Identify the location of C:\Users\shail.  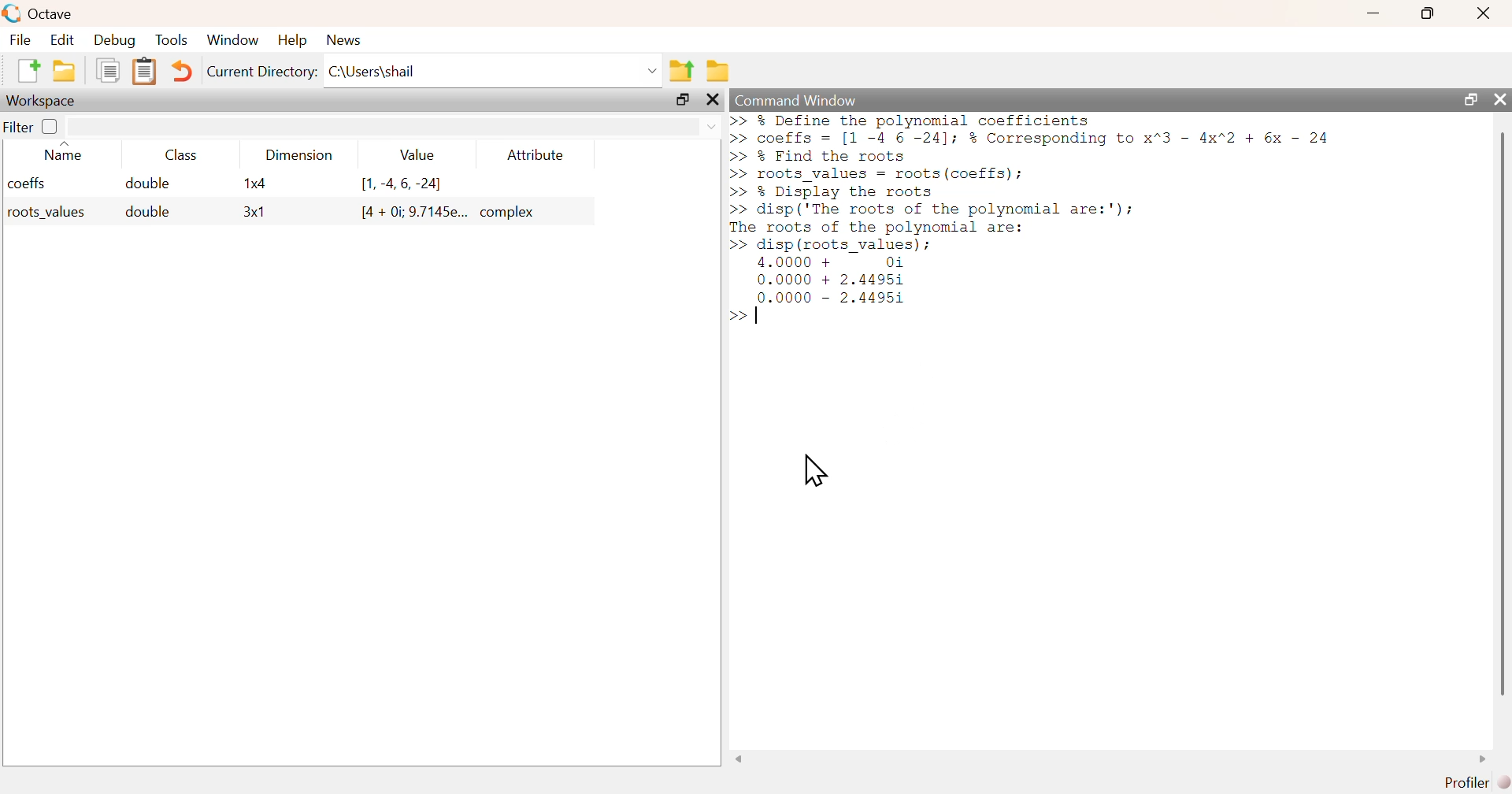
(372, 71).